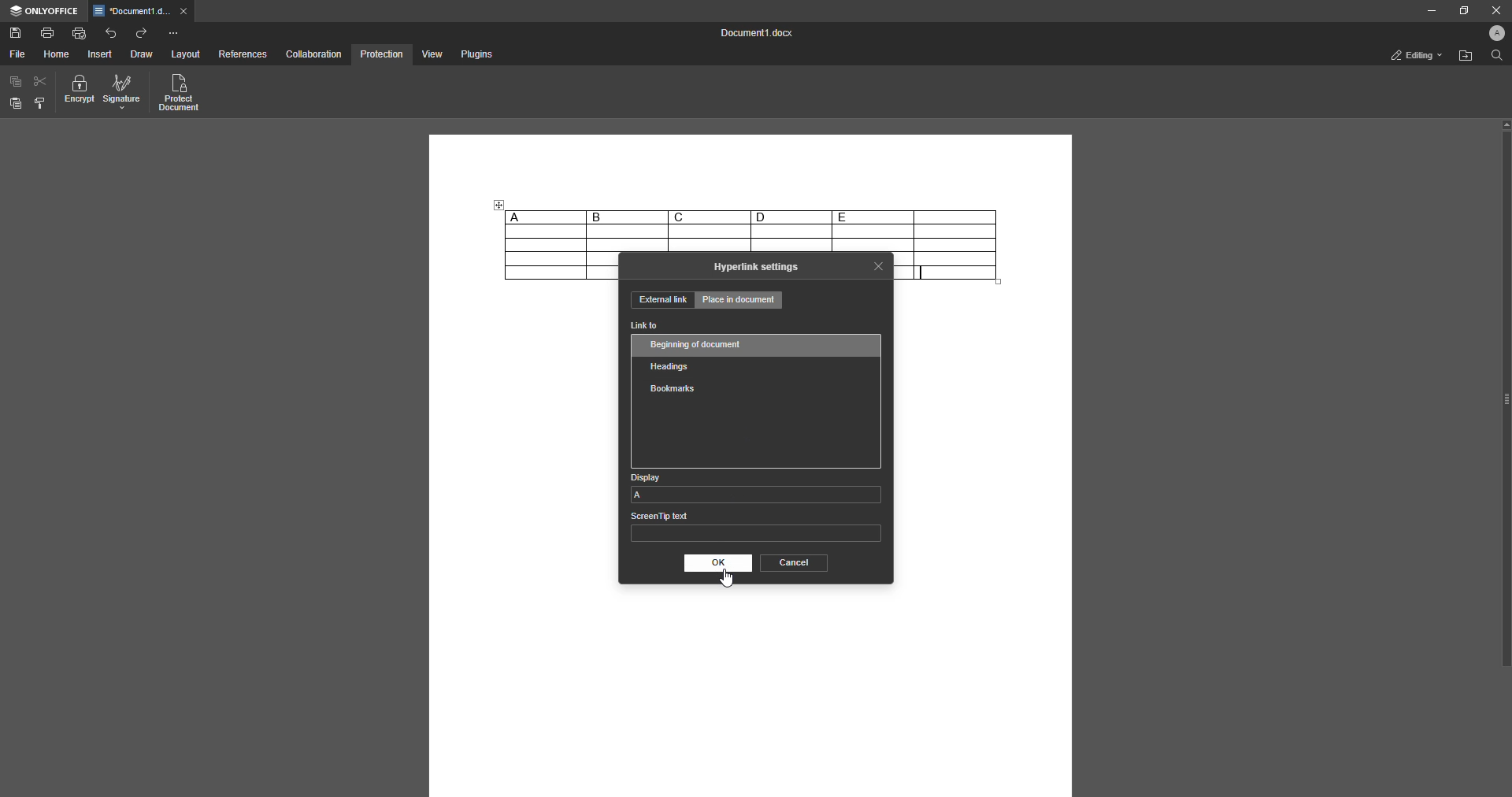 The height and width of the screenshot is (797, 1512). Describe the element at coordinates (44, 11) in the screenshot. I see `ONLYOFFICE` at that location.